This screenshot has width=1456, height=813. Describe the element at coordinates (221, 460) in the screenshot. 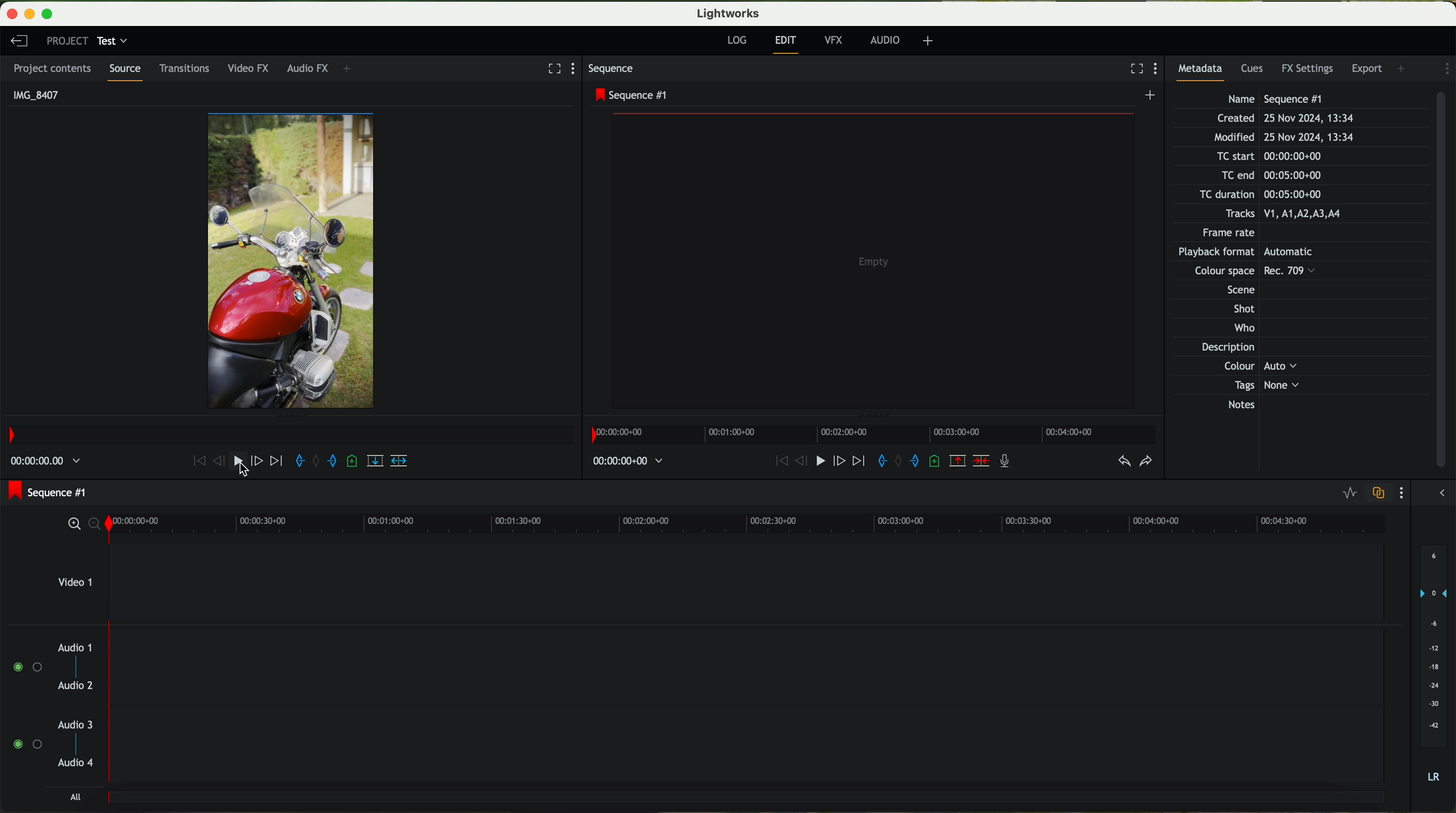

I see `nudge one frame back` at that location.